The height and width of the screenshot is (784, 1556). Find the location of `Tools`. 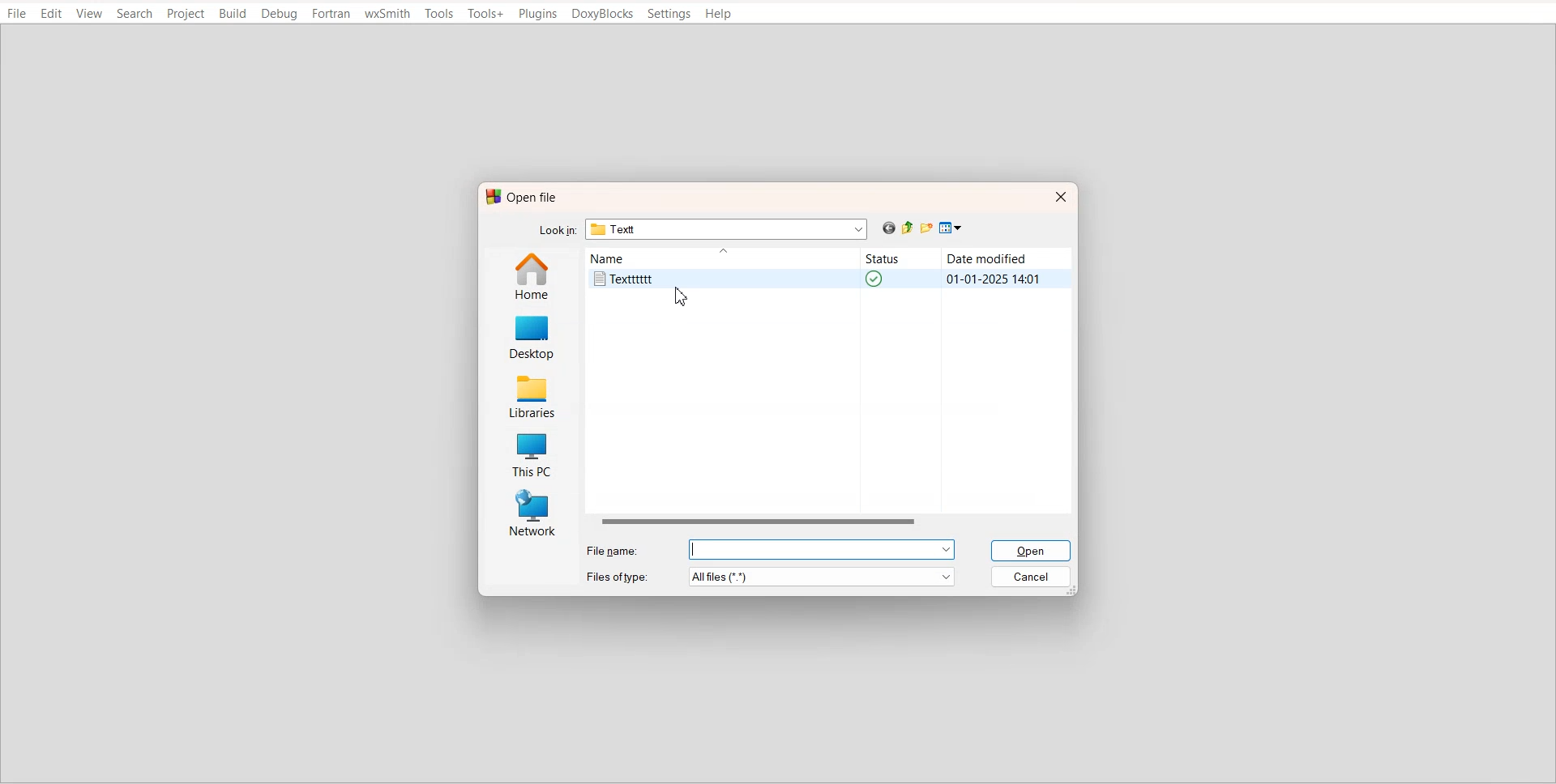

Tools is located at coordinates (439, 13).